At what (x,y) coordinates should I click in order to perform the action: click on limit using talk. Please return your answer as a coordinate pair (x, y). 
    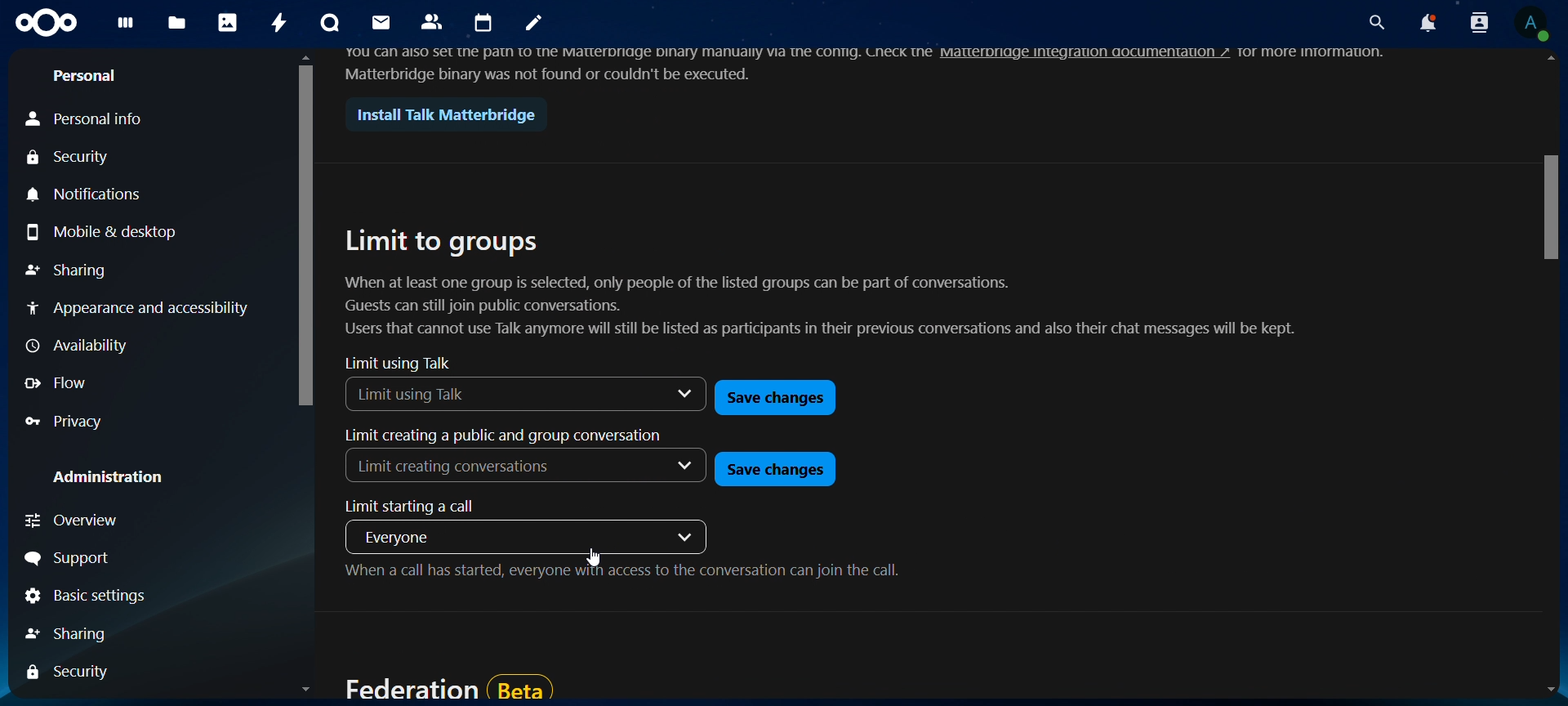
    Looking at the image, I should click on (519, 395).